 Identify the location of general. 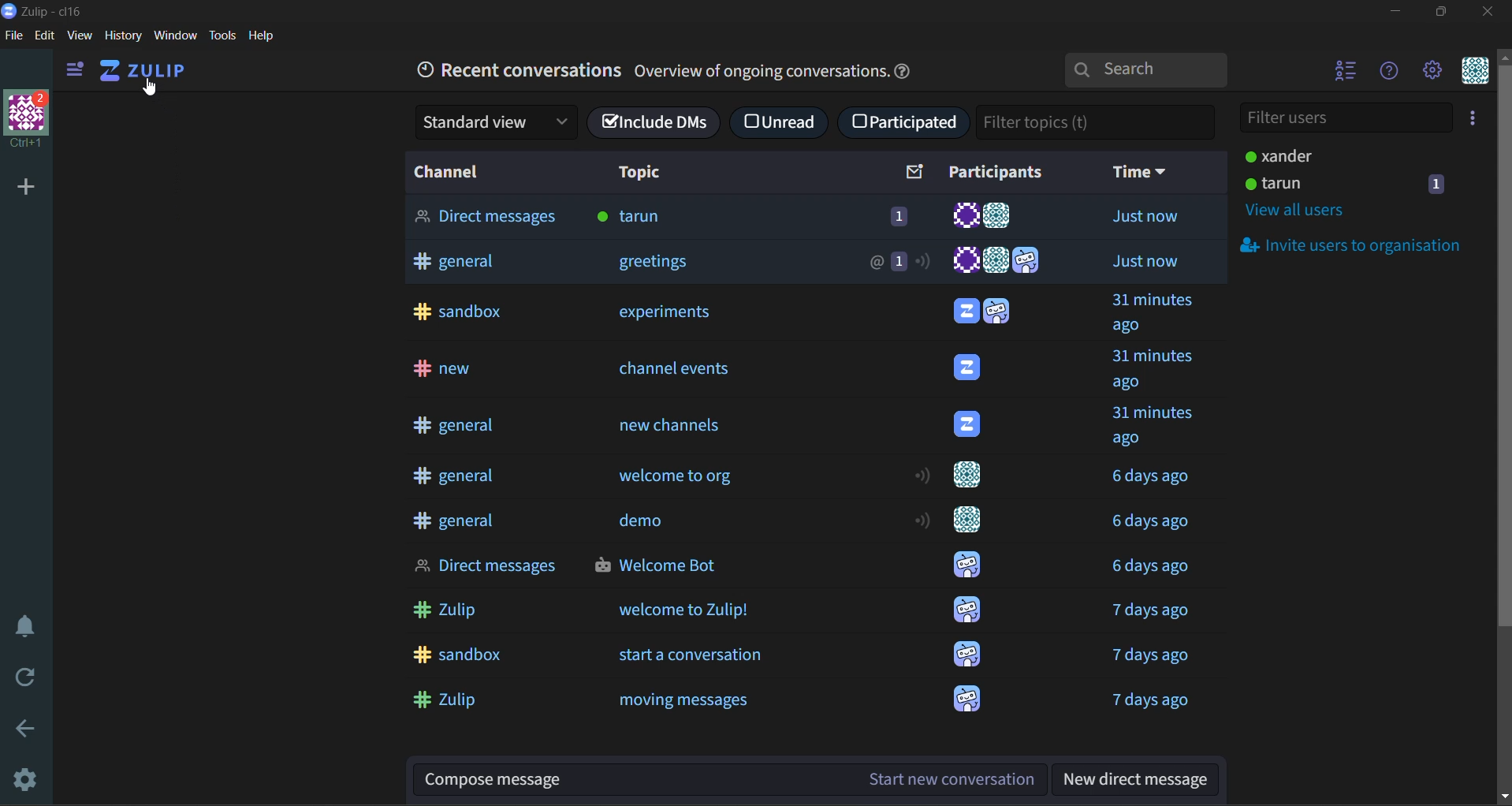
(456, 263).